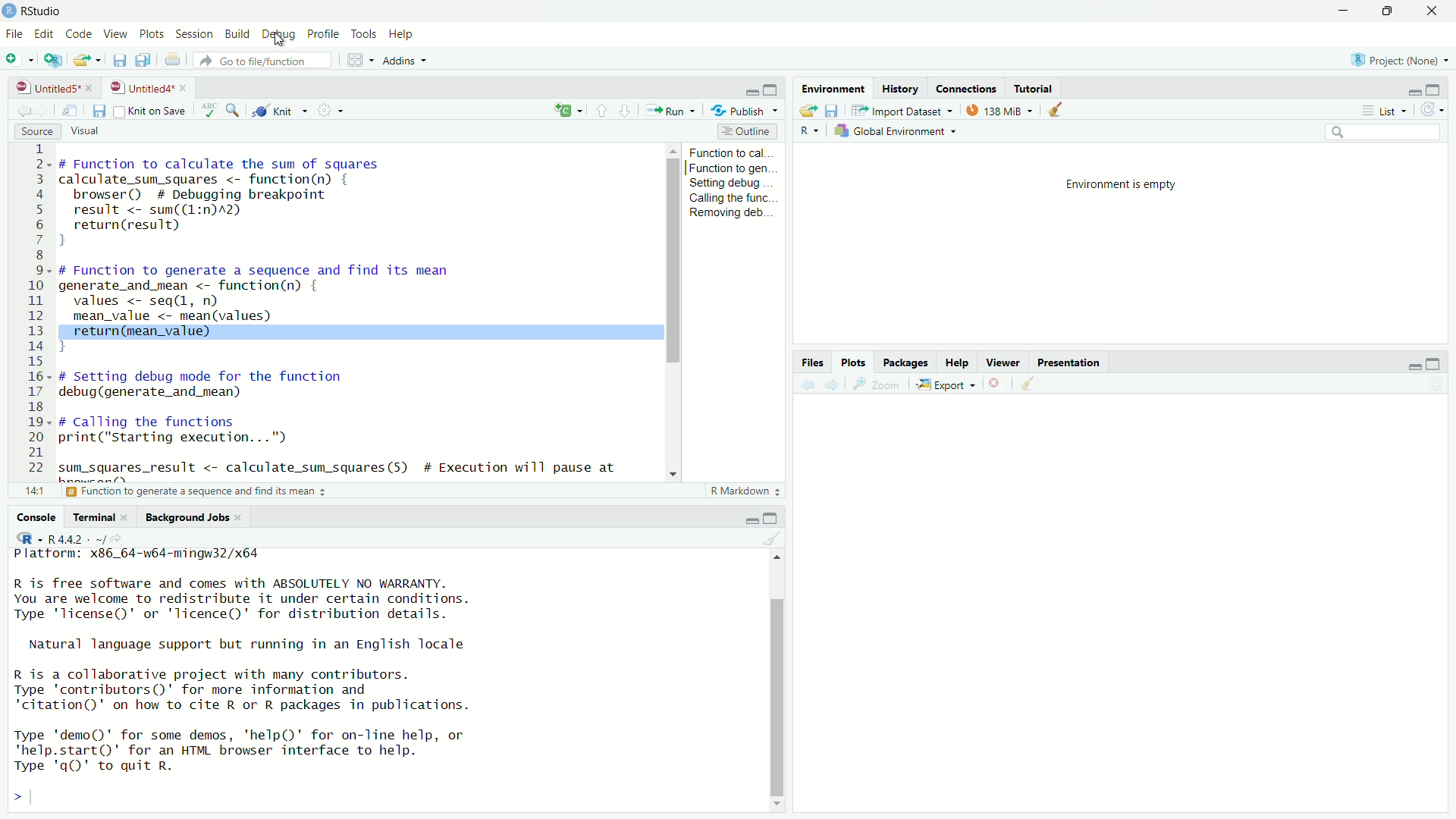 This screenshot has width=1456, height=819. I want to click on connections, so click(965, 87).